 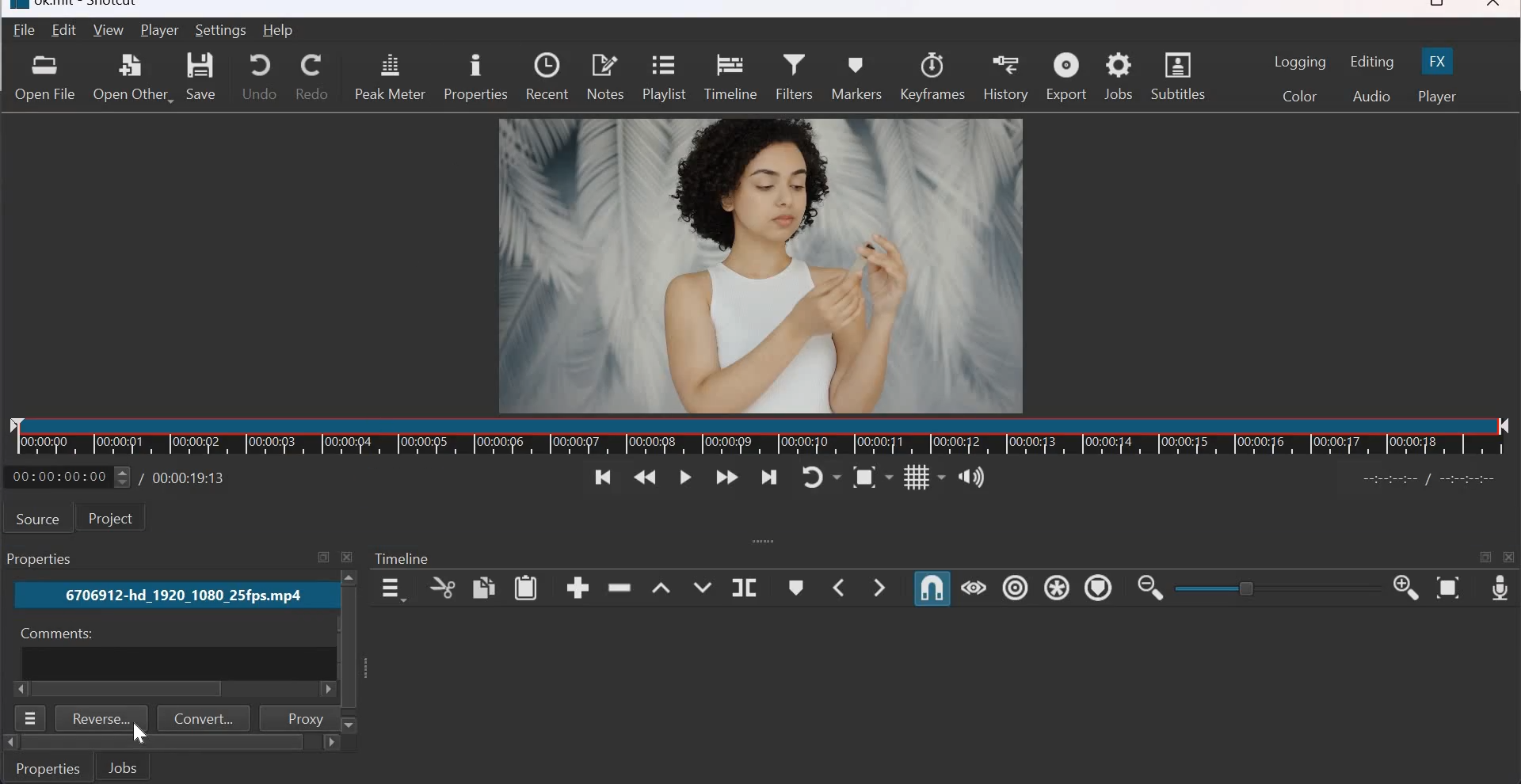 I want to click on Overwrite, so click(x=701, y=584).